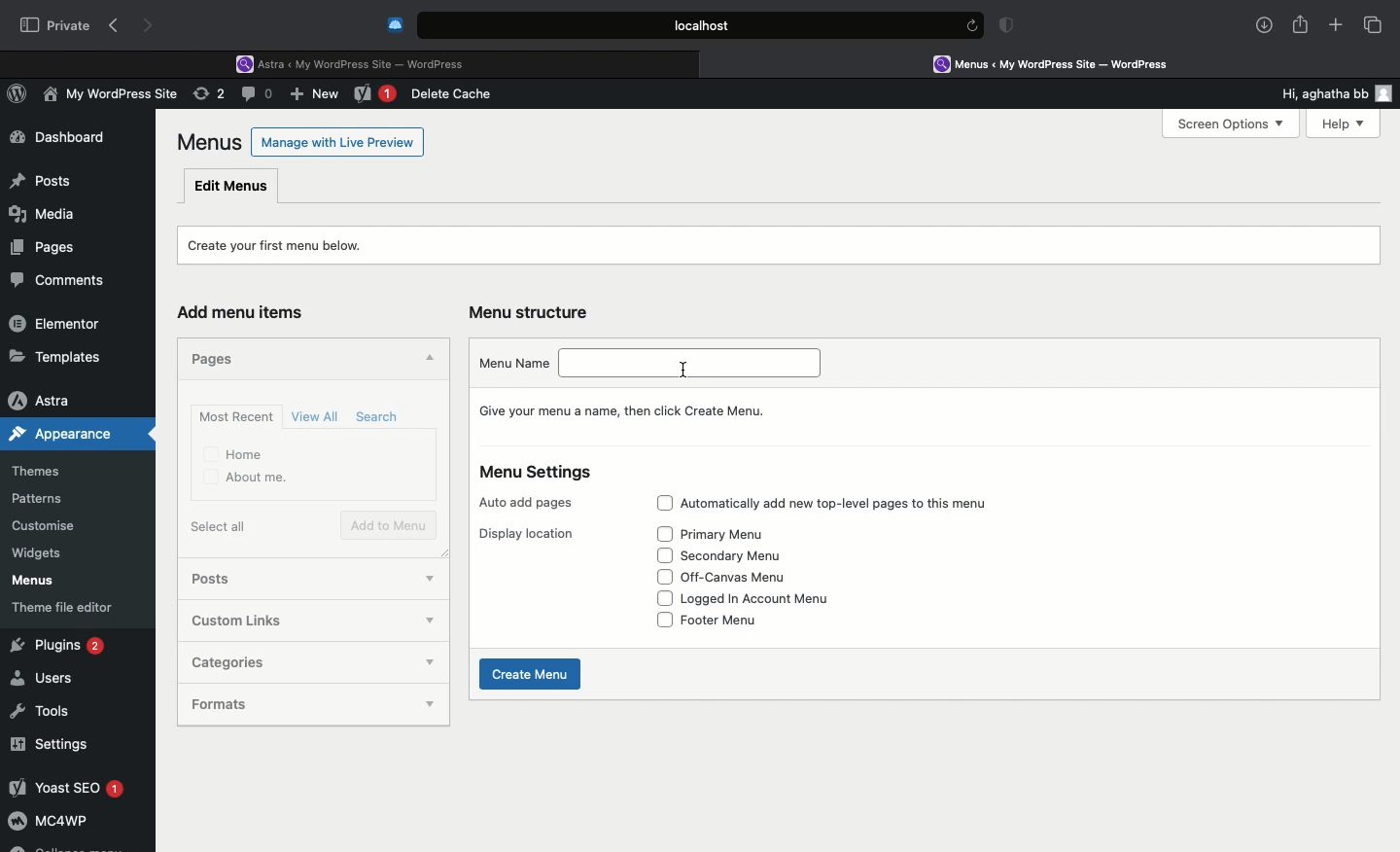 The image size is (1400, 852). What do you see at coordinates (45, 500) in the screenshot?
I see `Patterns` at bounding box center [45, 500].